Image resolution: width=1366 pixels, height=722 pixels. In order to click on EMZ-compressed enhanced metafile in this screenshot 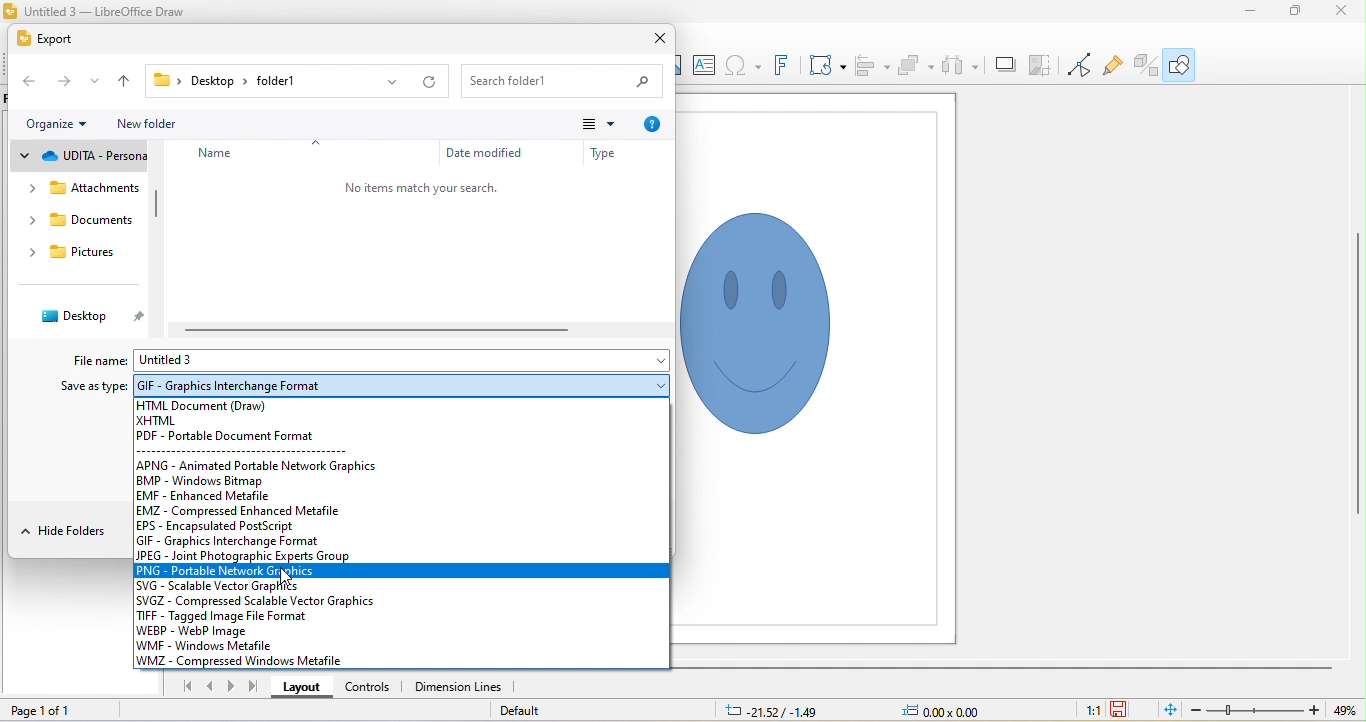, I will do `click(240, 511)`.